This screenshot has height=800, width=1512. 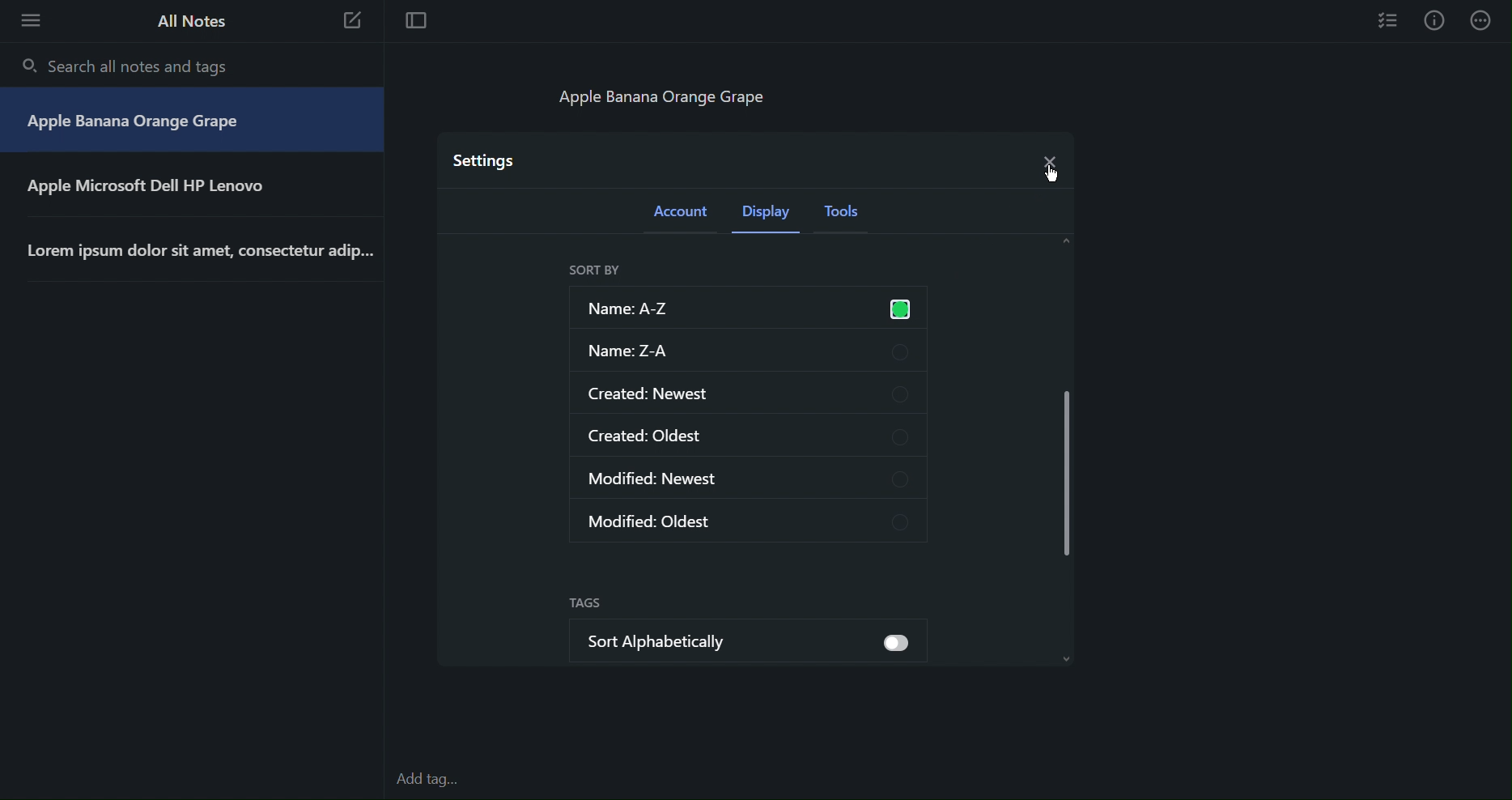 What do you see at coordinates (1045, 174) in the screenshot?
I see `Cursor` at bounding box center [1045, 174].